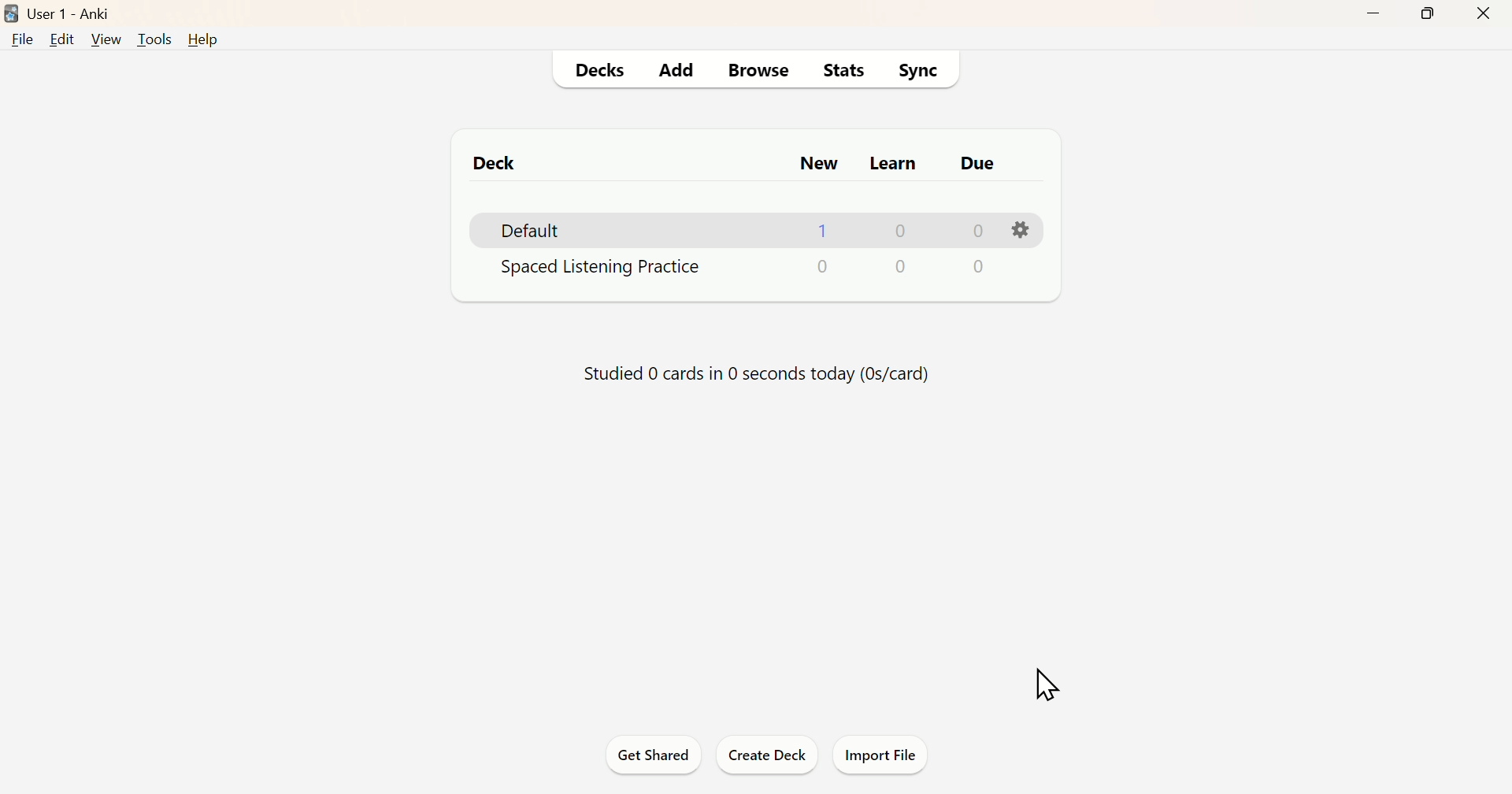 The height and width of the screenshot is (794, 1512). Describe the element at coordinates (1484, 13) in the screenshot. I see `Close` at that location.